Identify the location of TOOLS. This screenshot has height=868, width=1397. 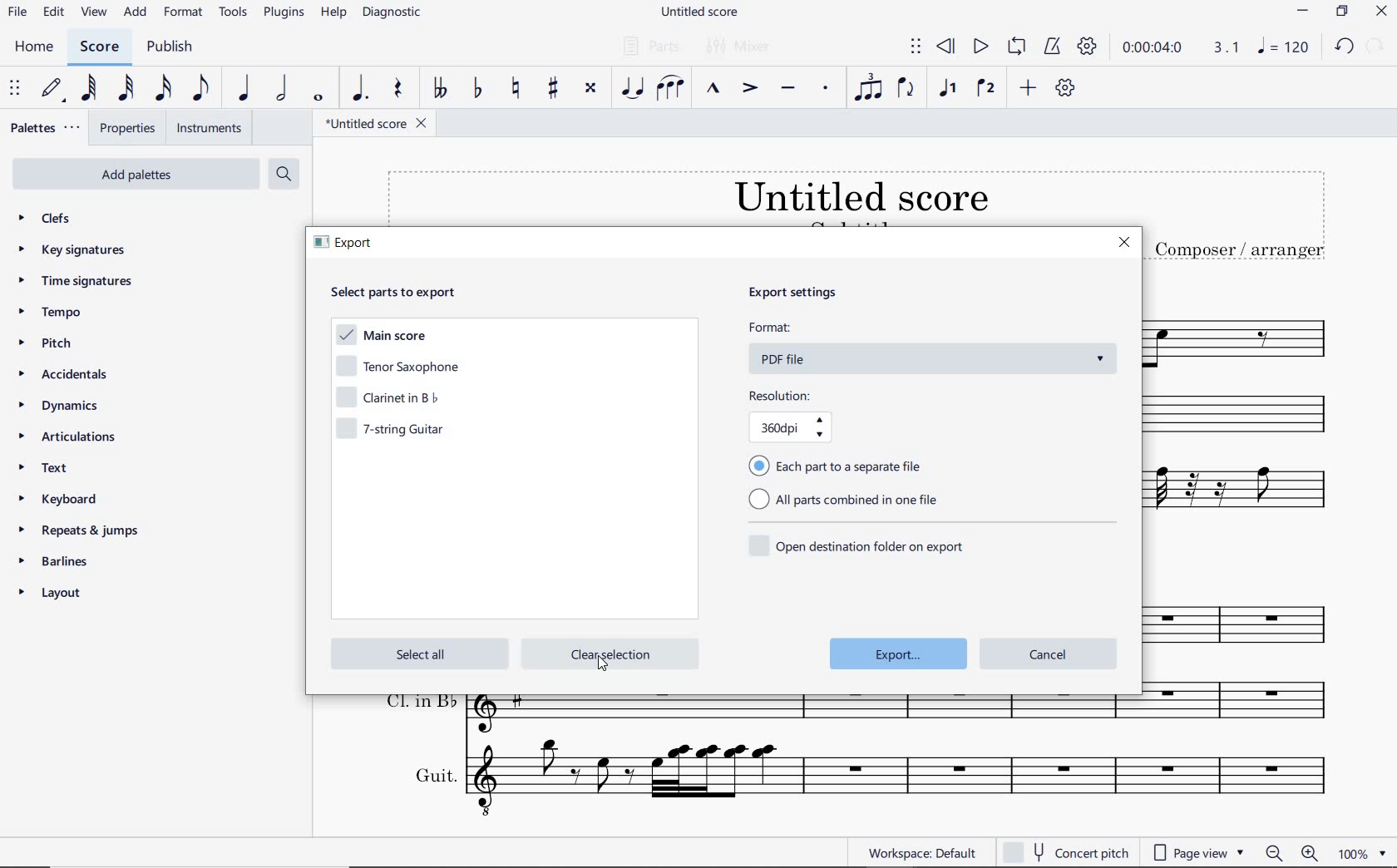
(234, 13).